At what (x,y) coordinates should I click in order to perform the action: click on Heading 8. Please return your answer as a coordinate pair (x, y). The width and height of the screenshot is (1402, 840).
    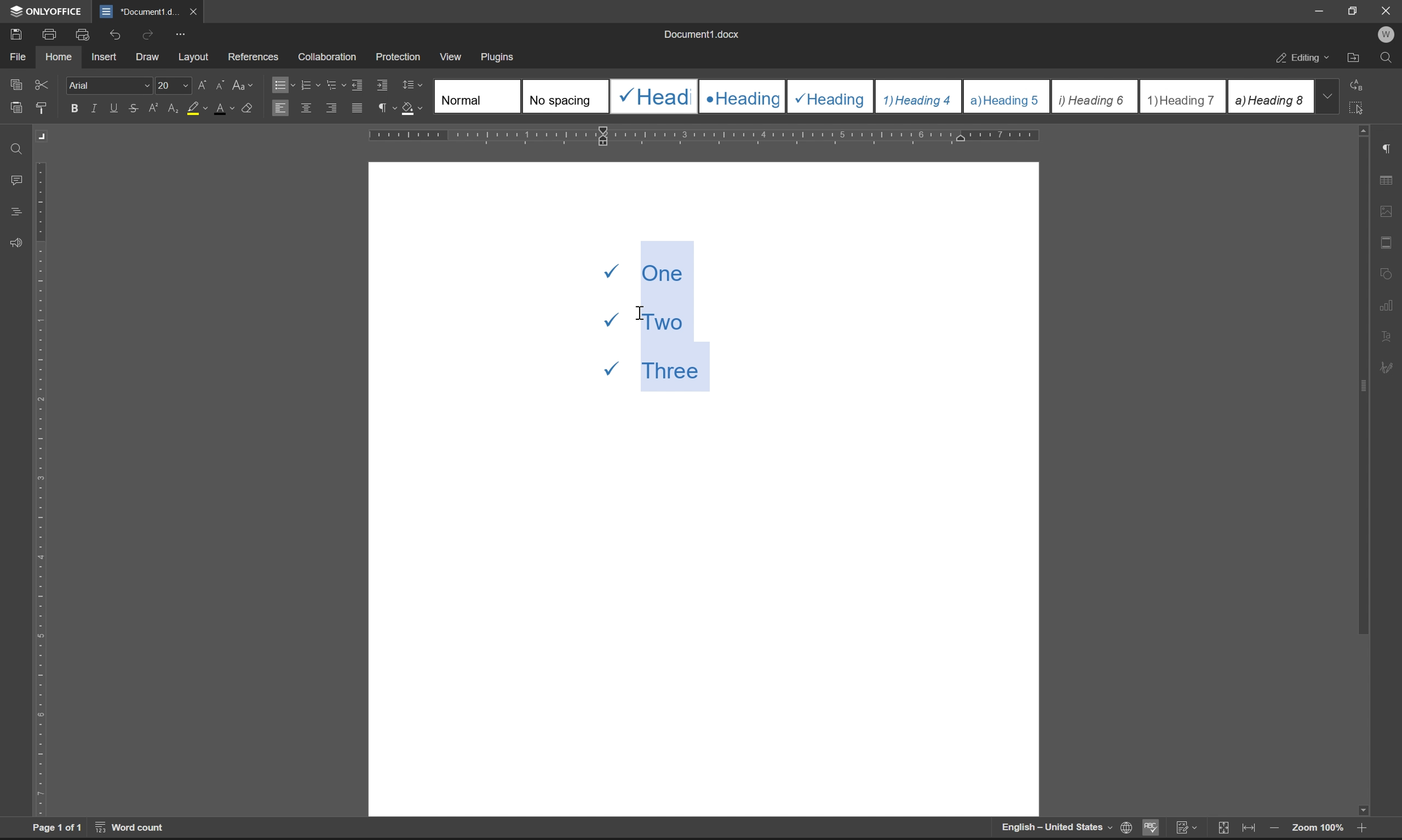
    Looking at the image, I should click on (1270, 96).